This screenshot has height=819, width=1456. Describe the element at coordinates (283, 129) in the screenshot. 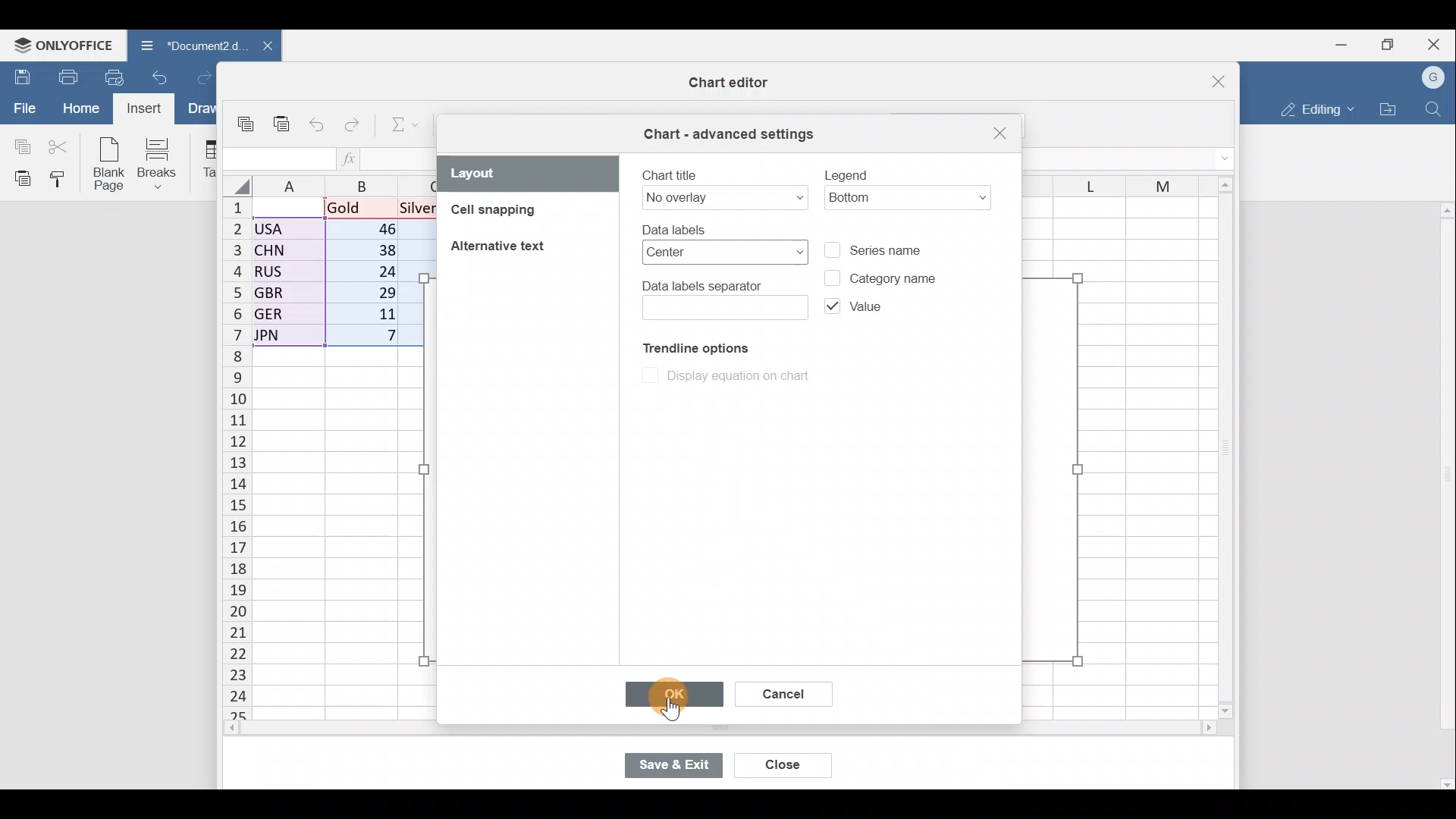

I see `Paste` at that location.